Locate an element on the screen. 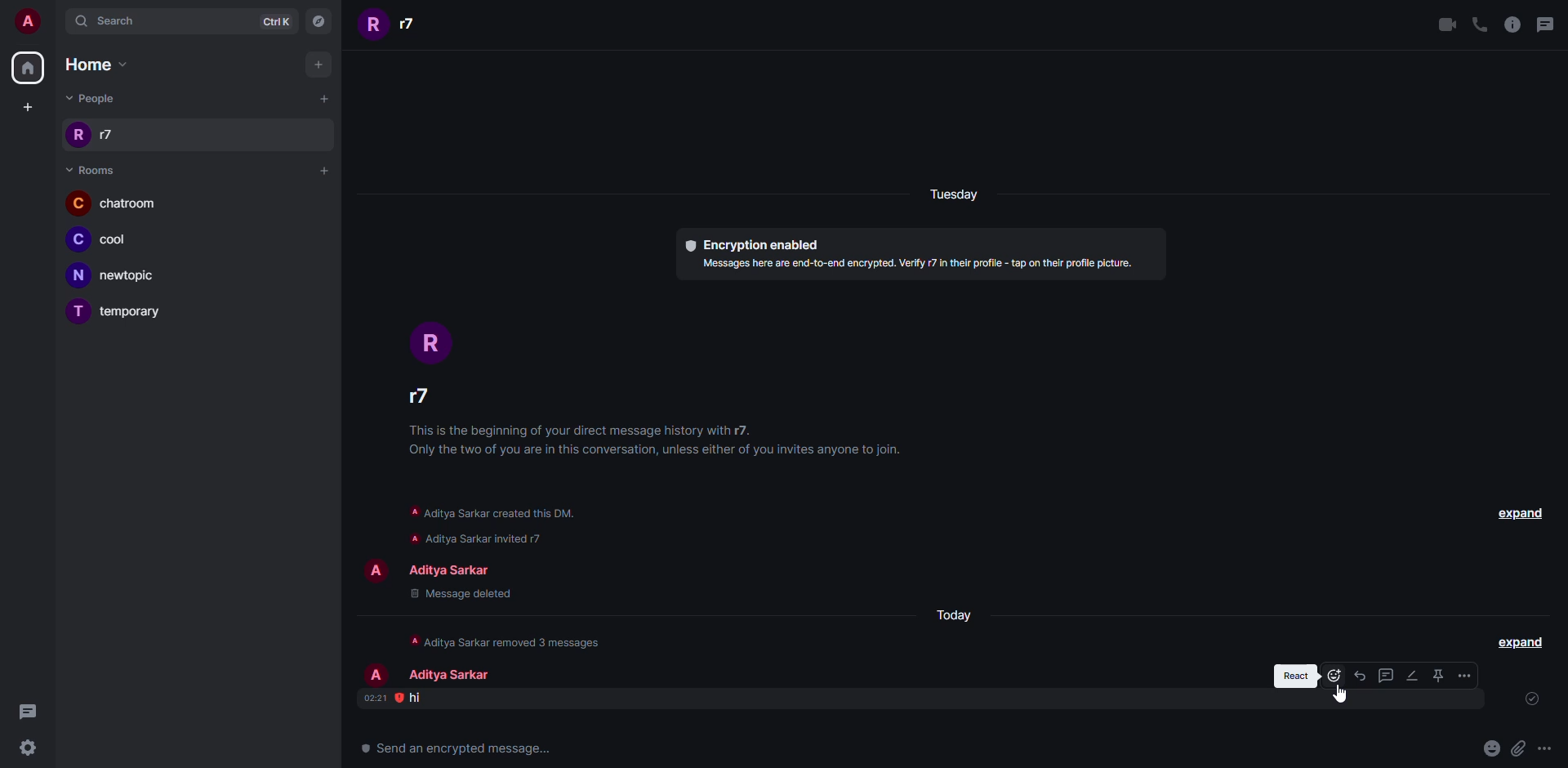 The height and width of the screenshot is (768, 1568). pin is located at coordinates (1439, 676).